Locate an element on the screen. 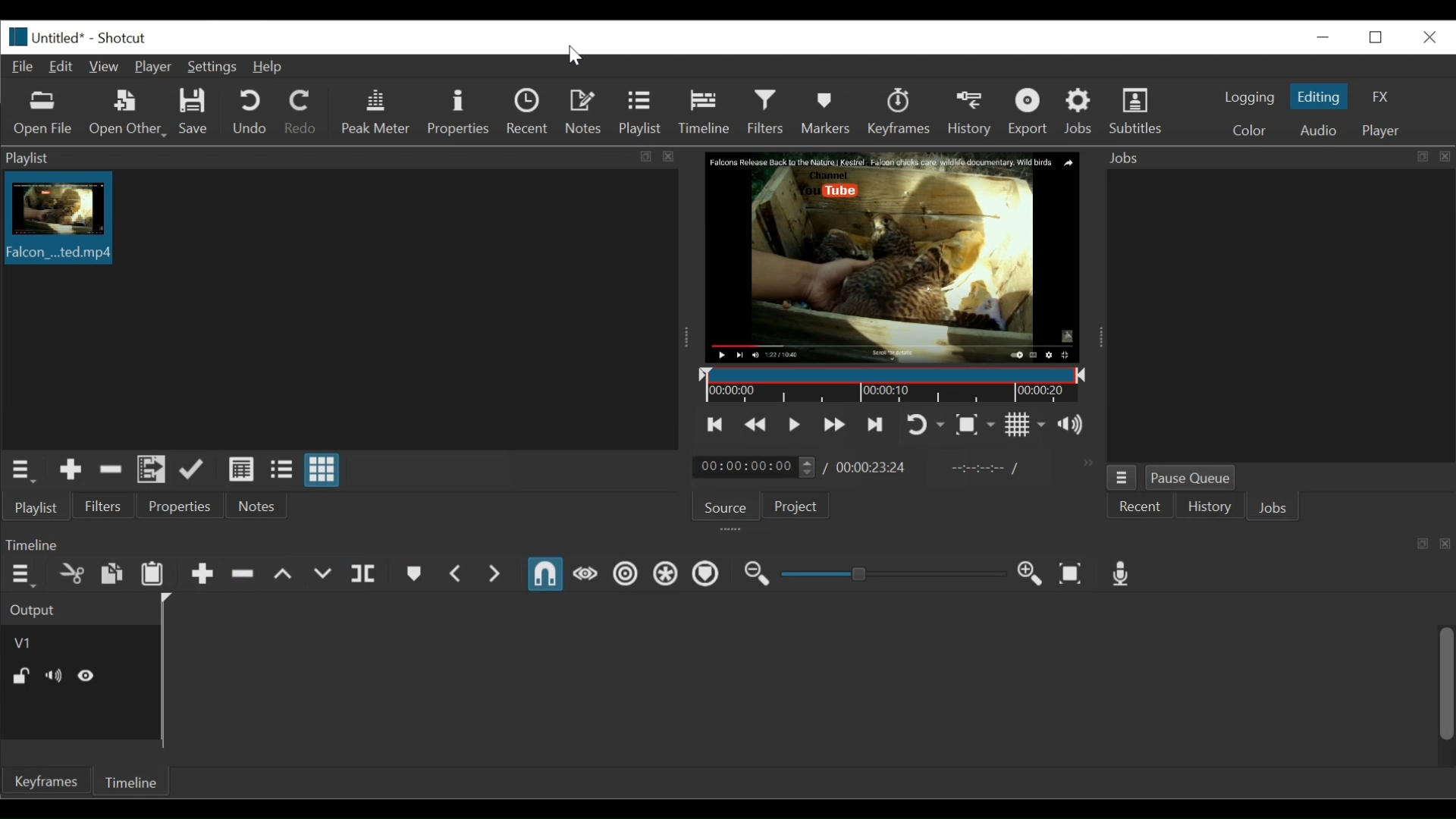  Media Viewer is located at coordinates (893, 257).